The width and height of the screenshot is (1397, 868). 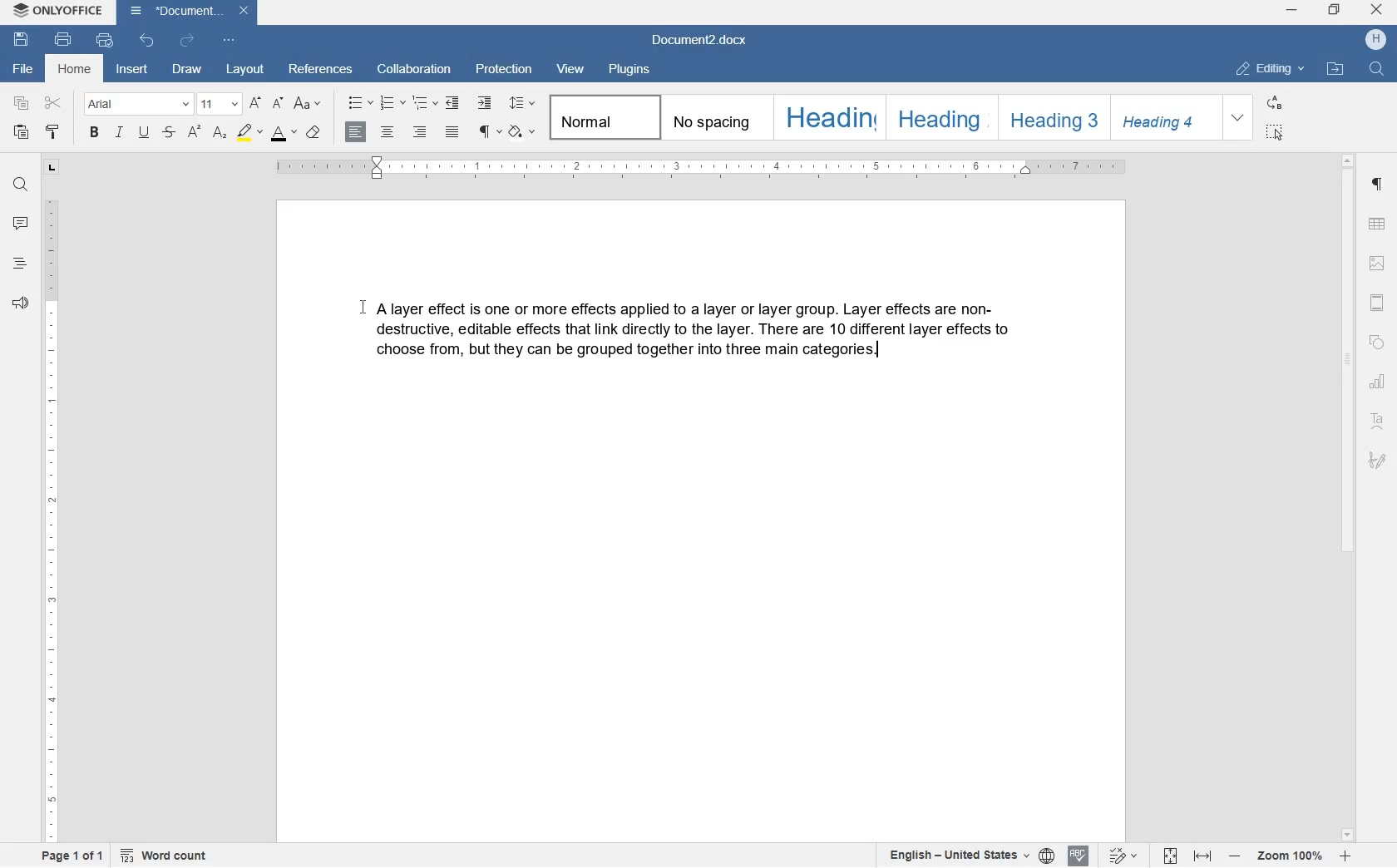 I want to click on ruler, so click(x=704, y=168).